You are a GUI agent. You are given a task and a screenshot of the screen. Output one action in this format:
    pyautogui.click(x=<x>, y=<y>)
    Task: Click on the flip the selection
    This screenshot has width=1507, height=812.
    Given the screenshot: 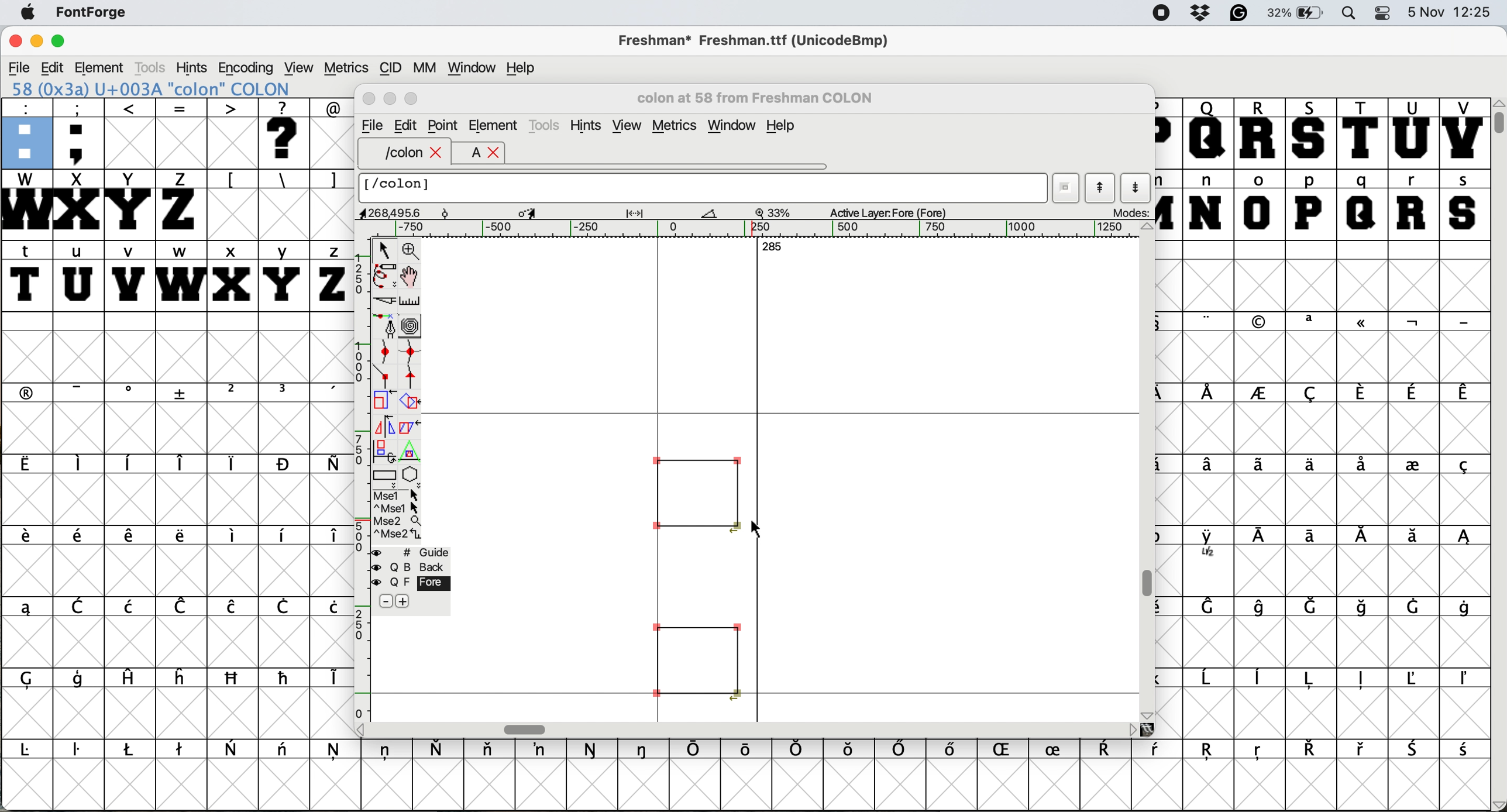 What is the action you would take?
    pyautogui.click(x=383, y=422)
    